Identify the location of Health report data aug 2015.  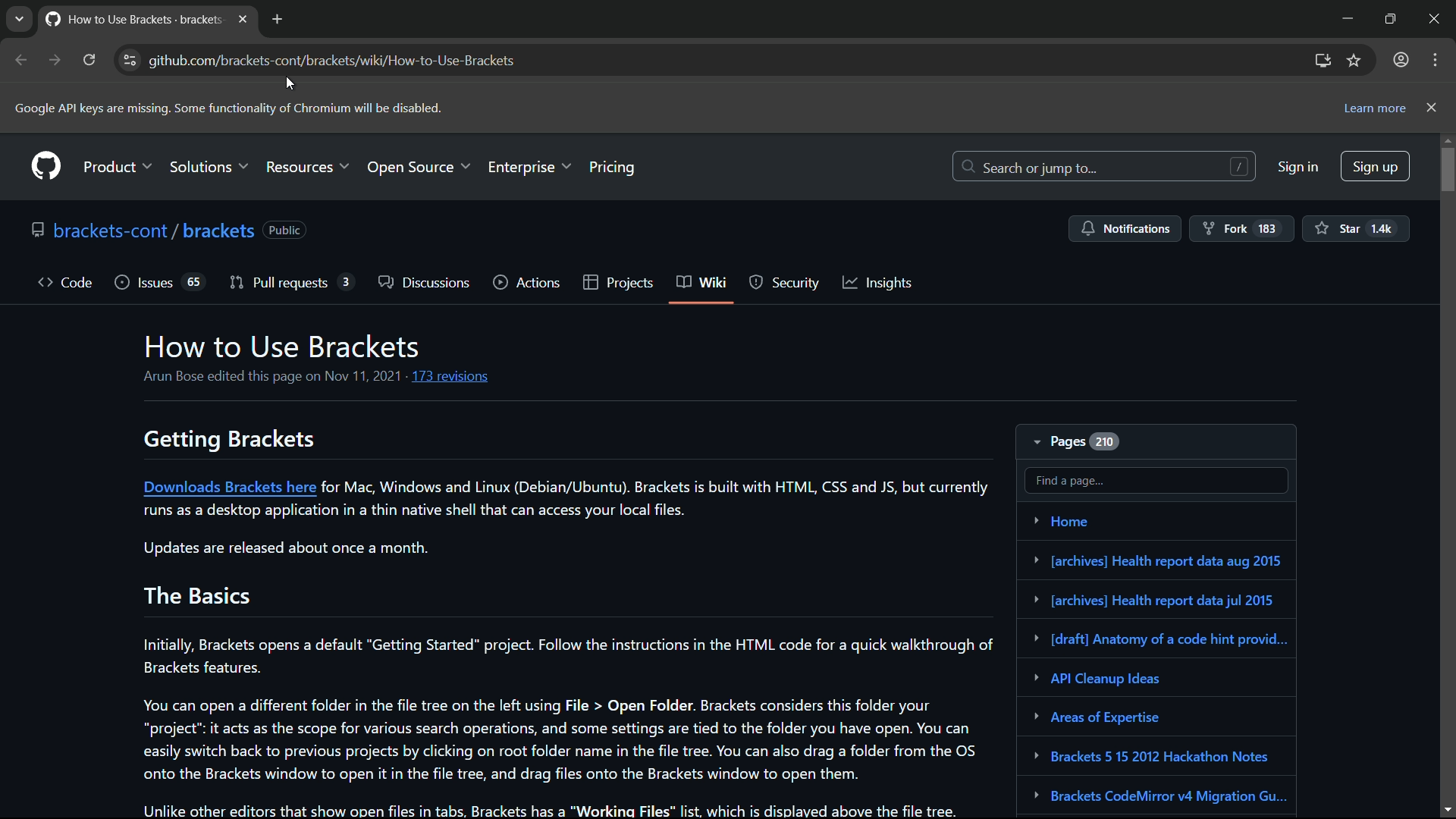
(1157, 563).